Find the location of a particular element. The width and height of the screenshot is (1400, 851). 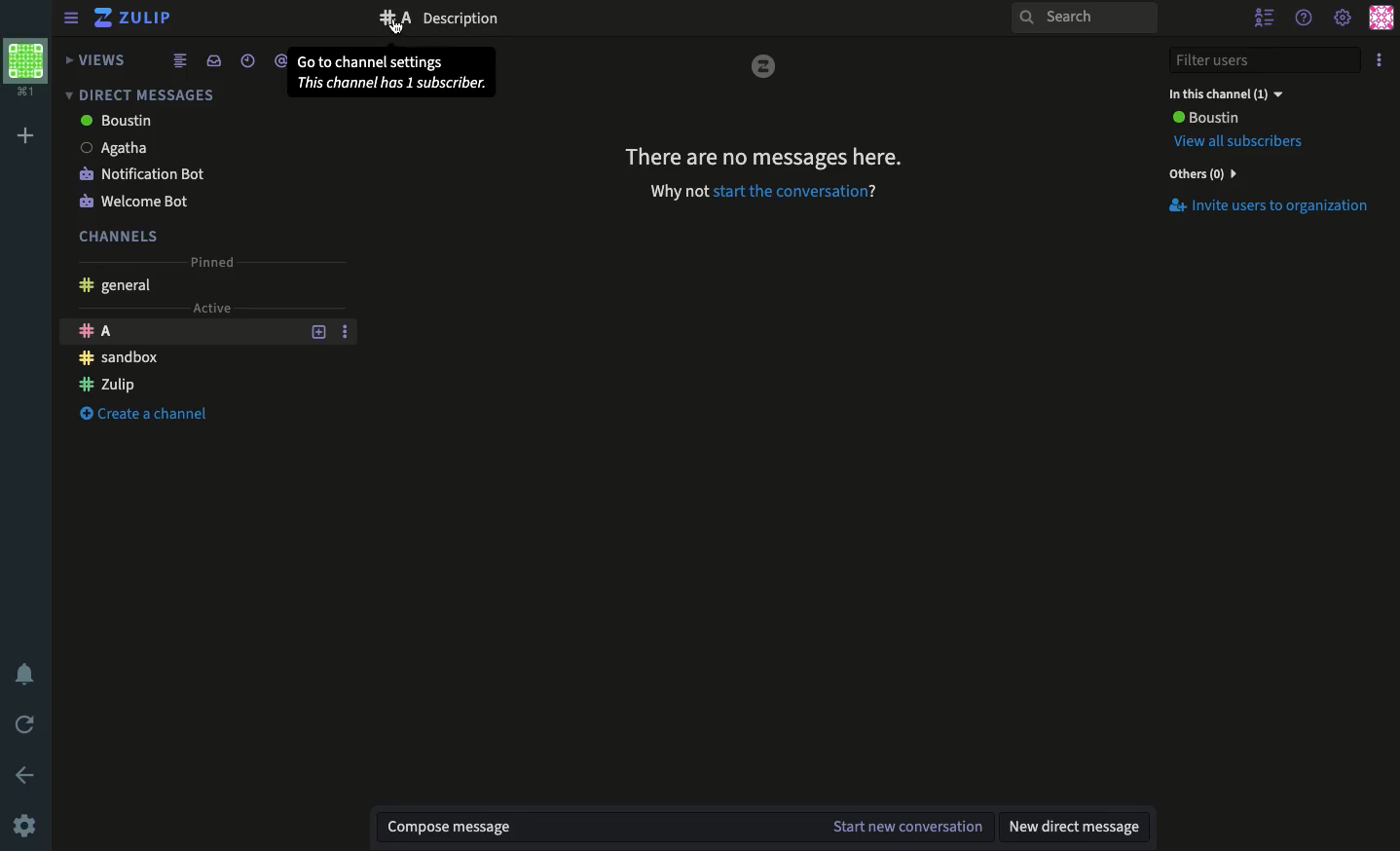

agatha is located at coordinates (119, 148).